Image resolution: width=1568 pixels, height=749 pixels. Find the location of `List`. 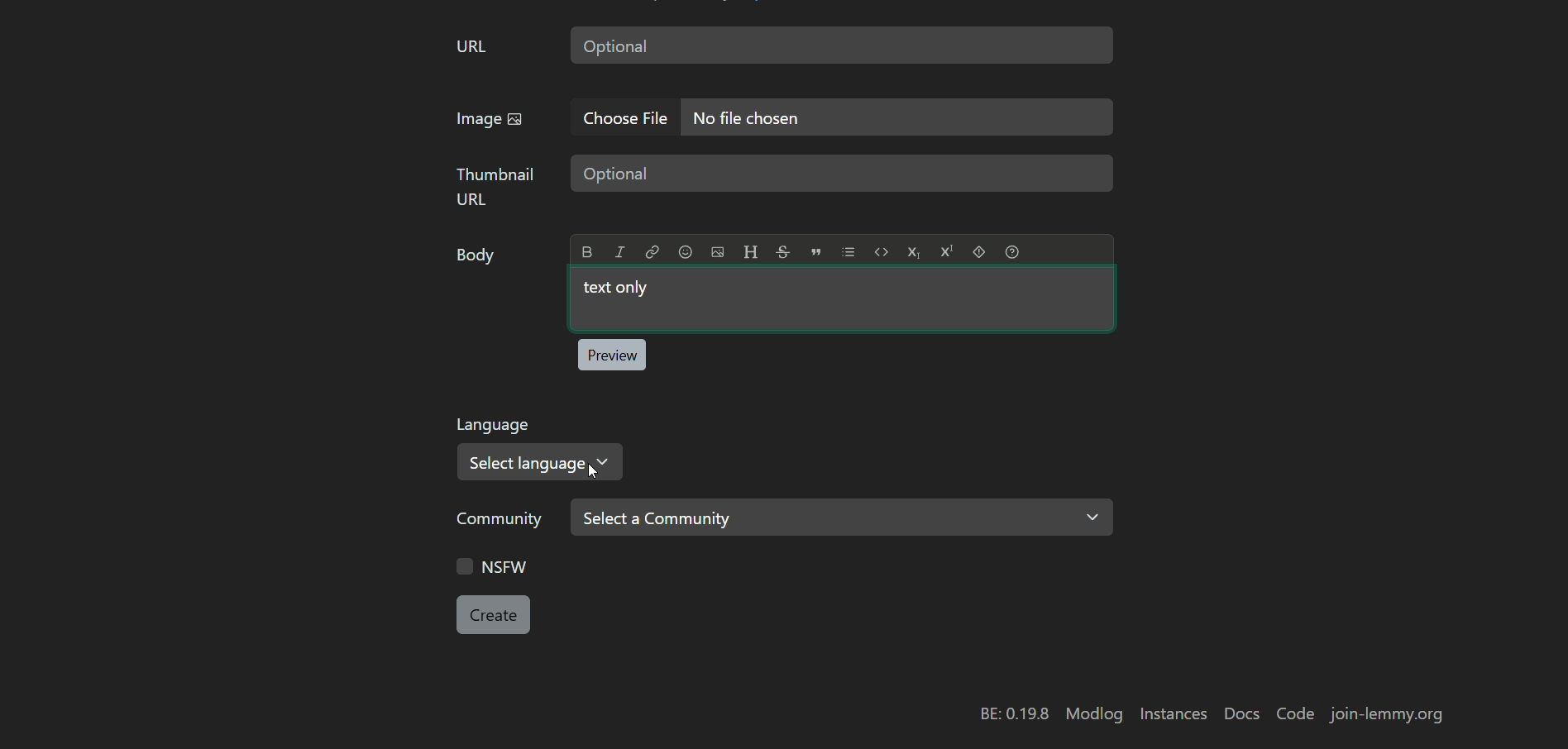

List is located at coordinates (849, 251).